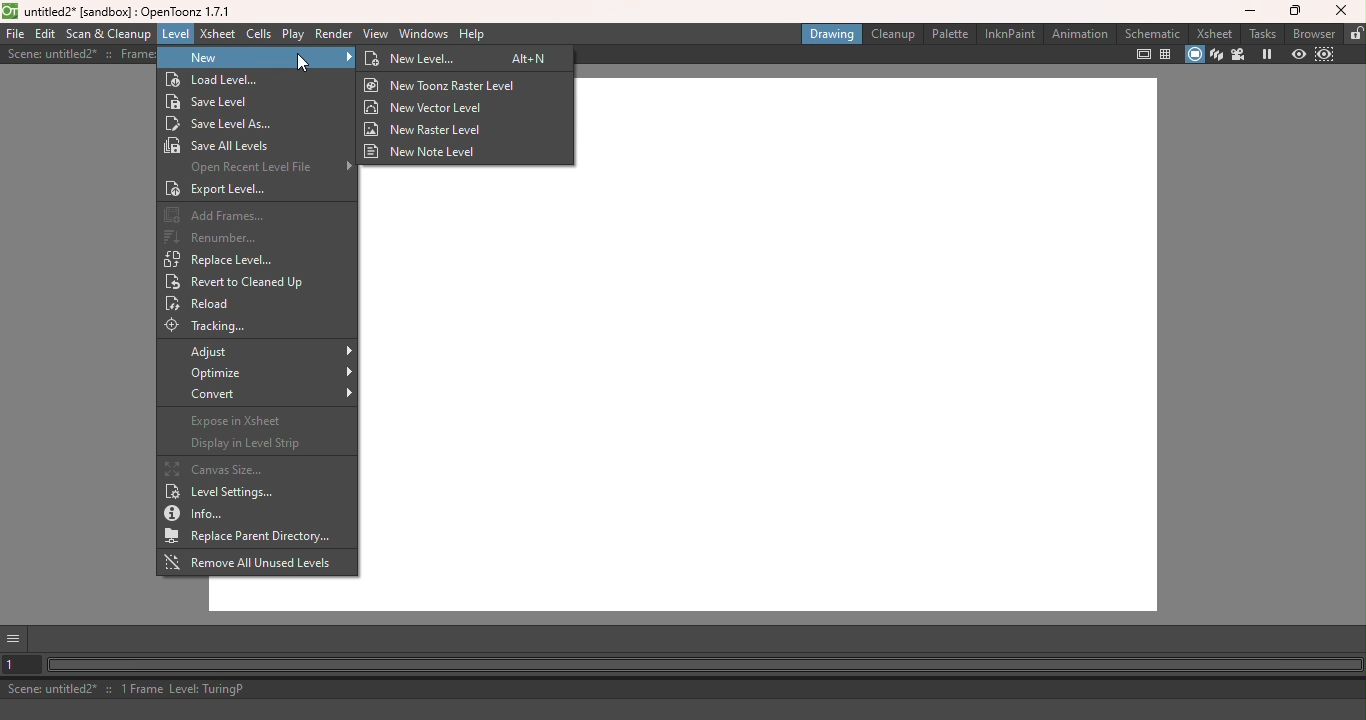  Describe the element at coordinates (240, 283) in the screenshot. I see `Revert to cleaned up` at that location.